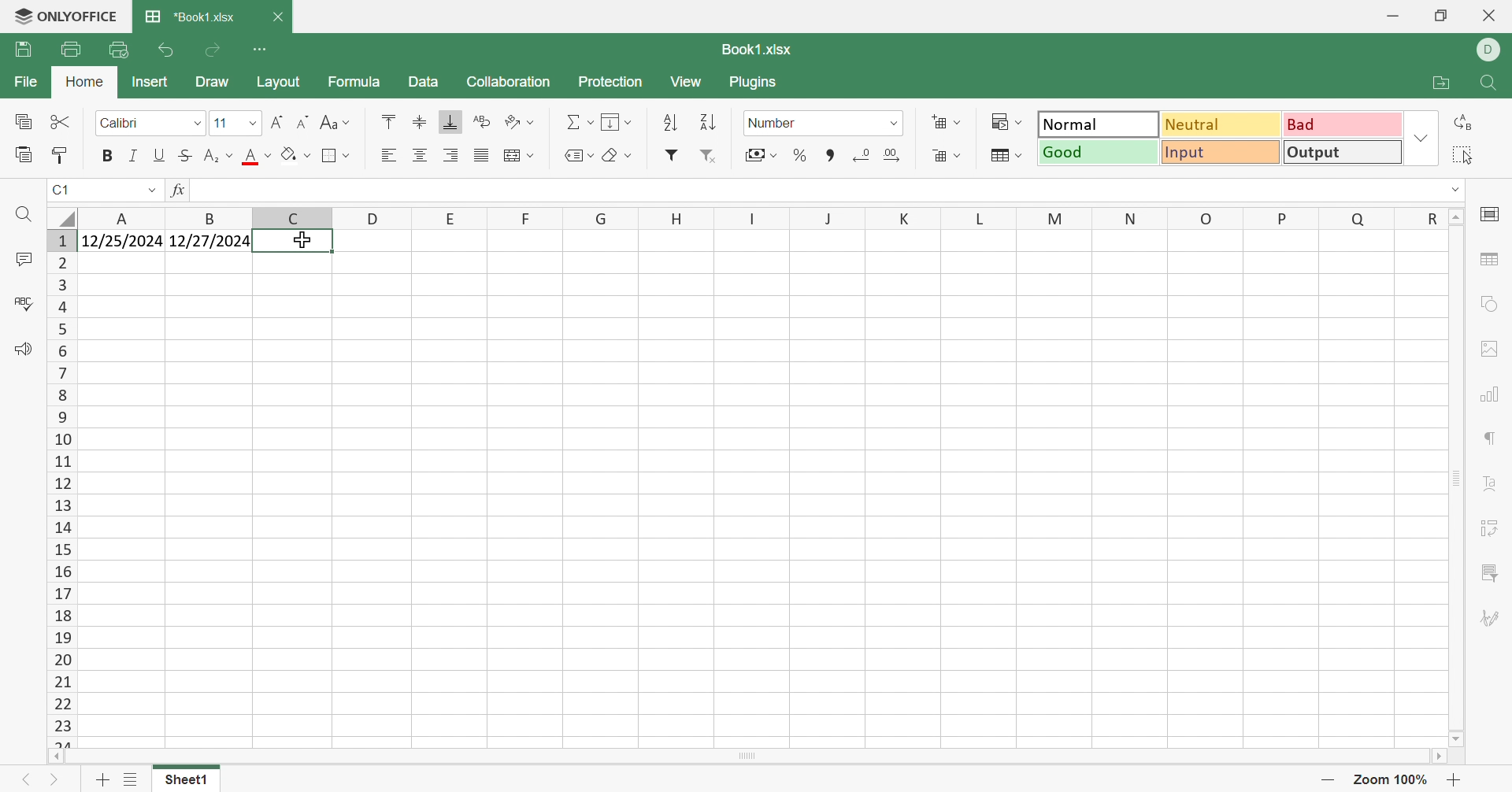  What do you see at coordinates (28, 82) in the screenshot?
I see `File` at bounding box center [28, 82].